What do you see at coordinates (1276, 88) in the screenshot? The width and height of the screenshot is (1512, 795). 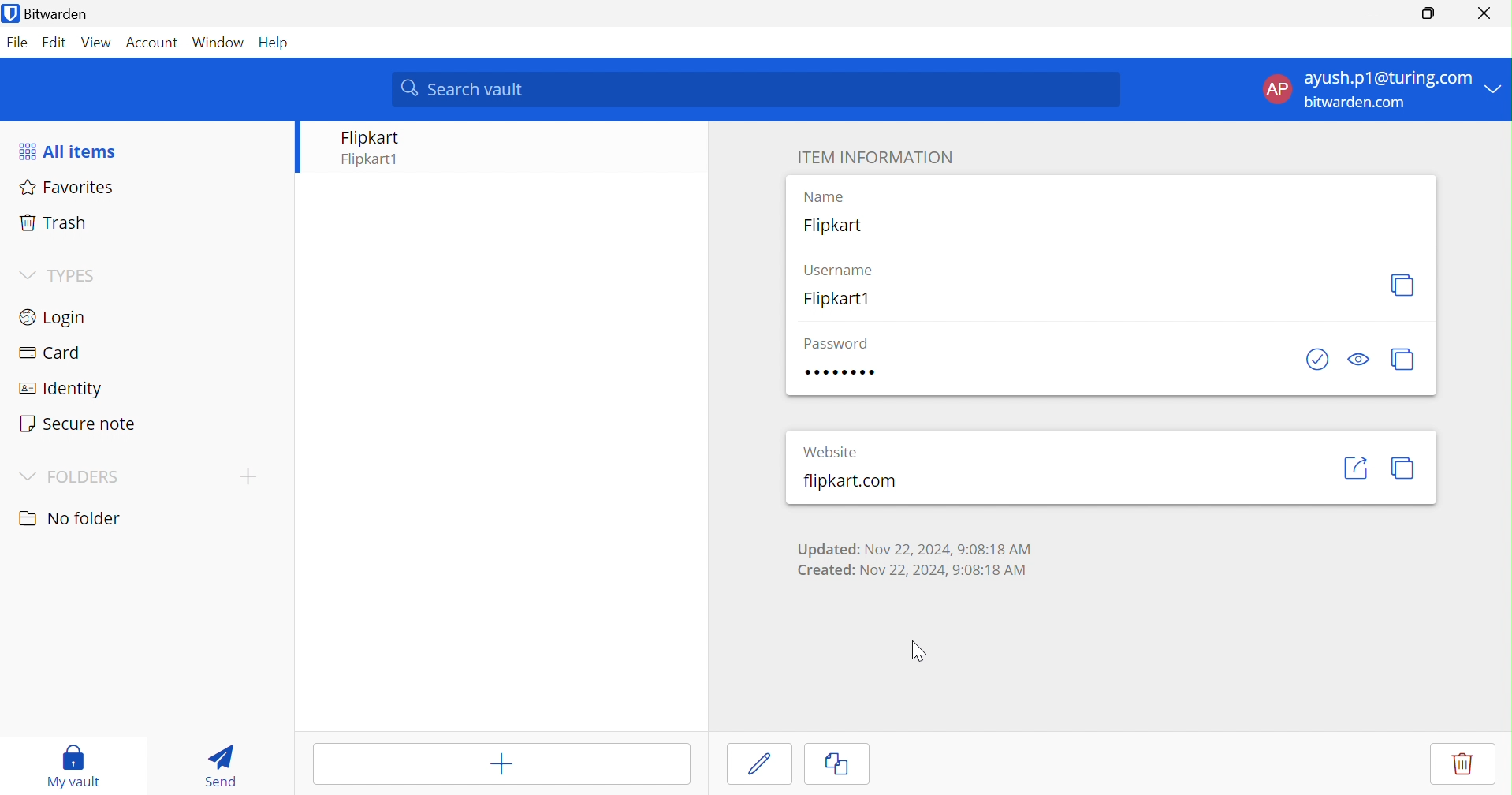 I see `AP` at bounding box center [1276, 88].